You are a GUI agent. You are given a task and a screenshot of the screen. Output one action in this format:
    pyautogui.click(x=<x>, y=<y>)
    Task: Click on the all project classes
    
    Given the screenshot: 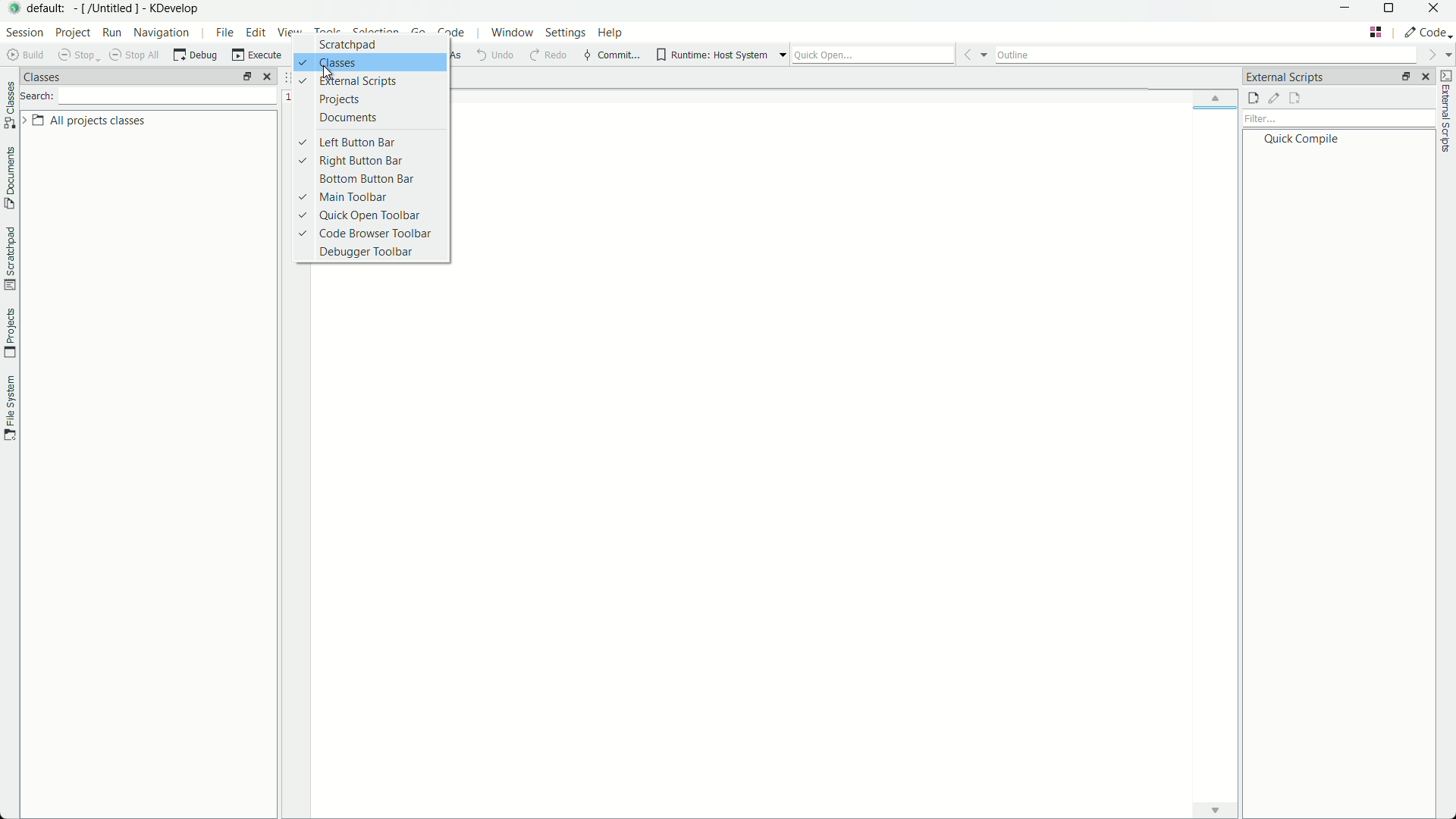 What is the action you would take?
    pyautogui.click(x=87, y=120)
    